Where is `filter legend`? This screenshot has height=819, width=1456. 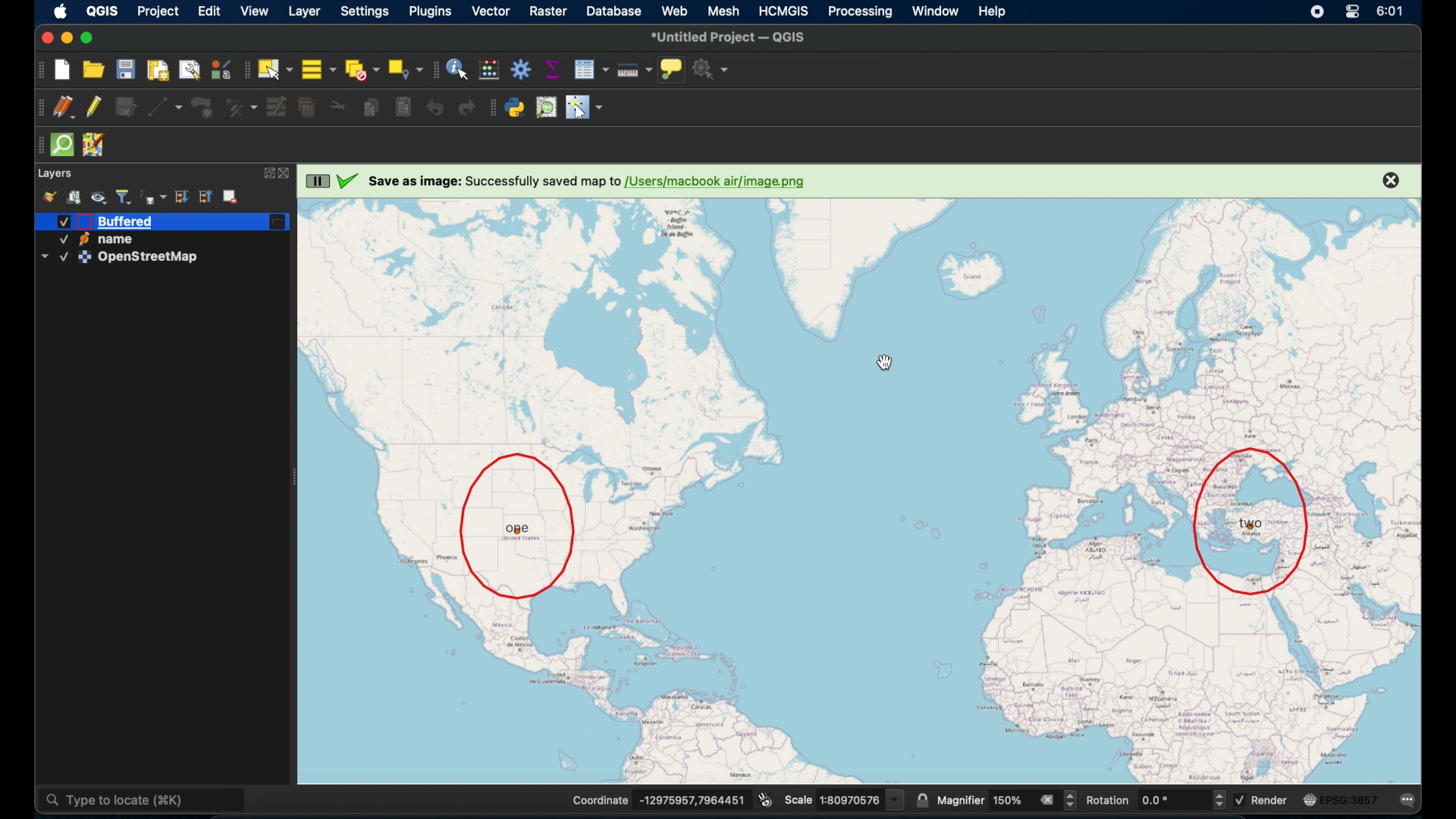
filter legend is located at coordinates (126, 195).